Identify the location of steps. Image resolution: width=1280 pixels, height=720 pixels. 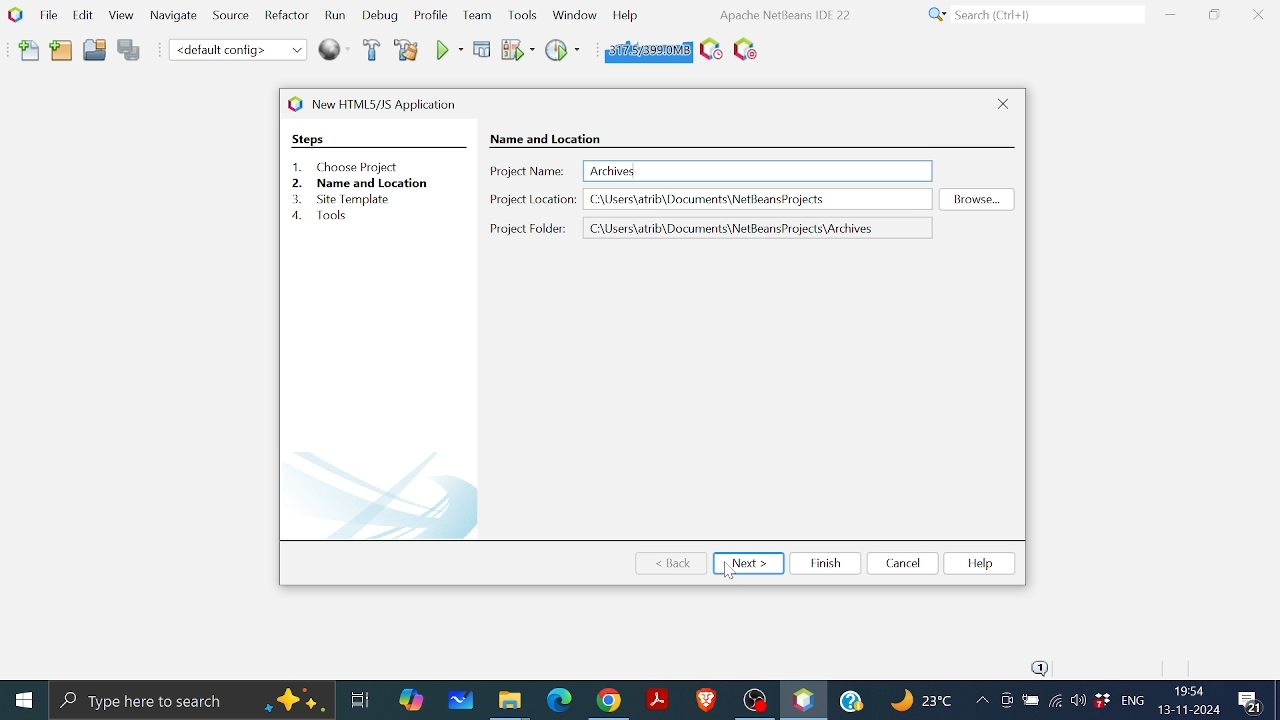
(308, 139).